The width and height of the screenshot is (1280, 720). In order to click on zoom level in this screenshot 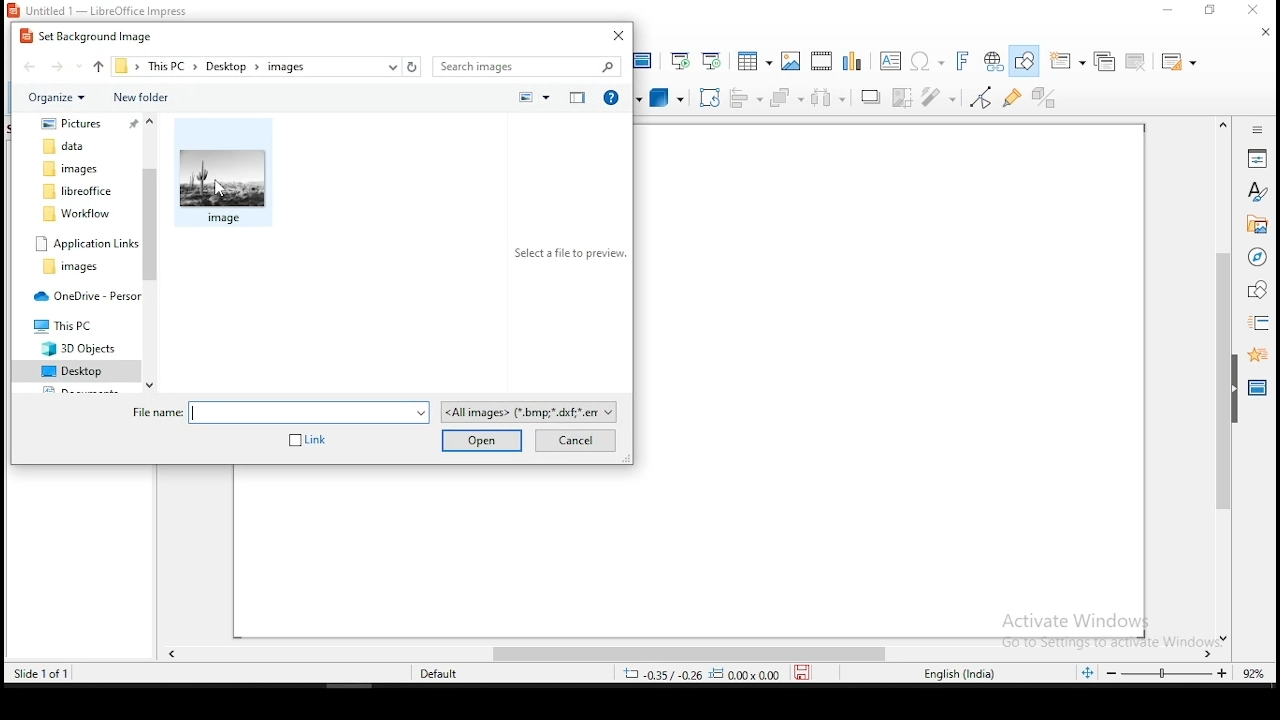, I will do `click(1251, 673)`.